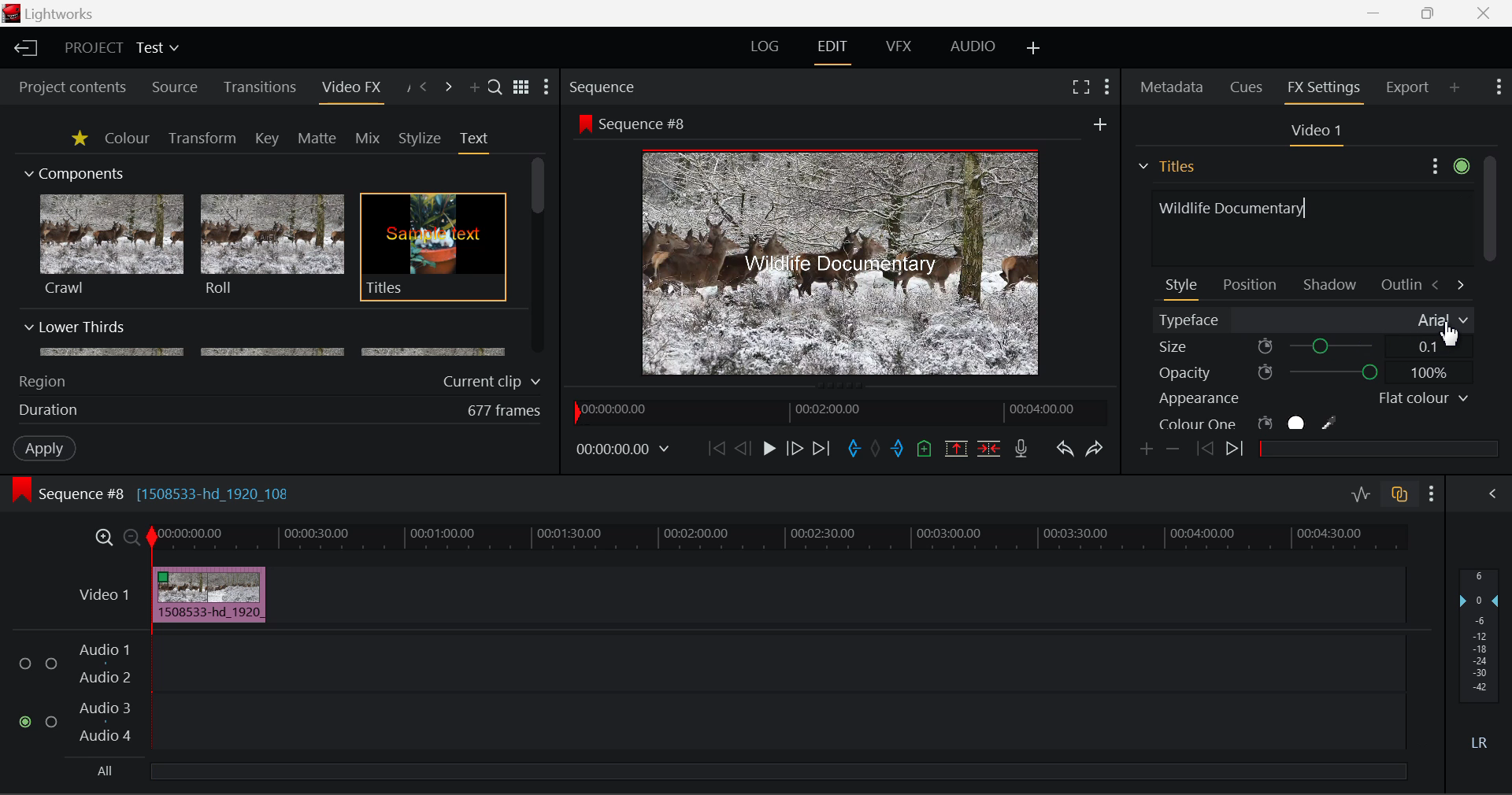 Image resolution: width=1512 pixels, height=795 pixels. I want to click on Redo, so click(1096, 449).